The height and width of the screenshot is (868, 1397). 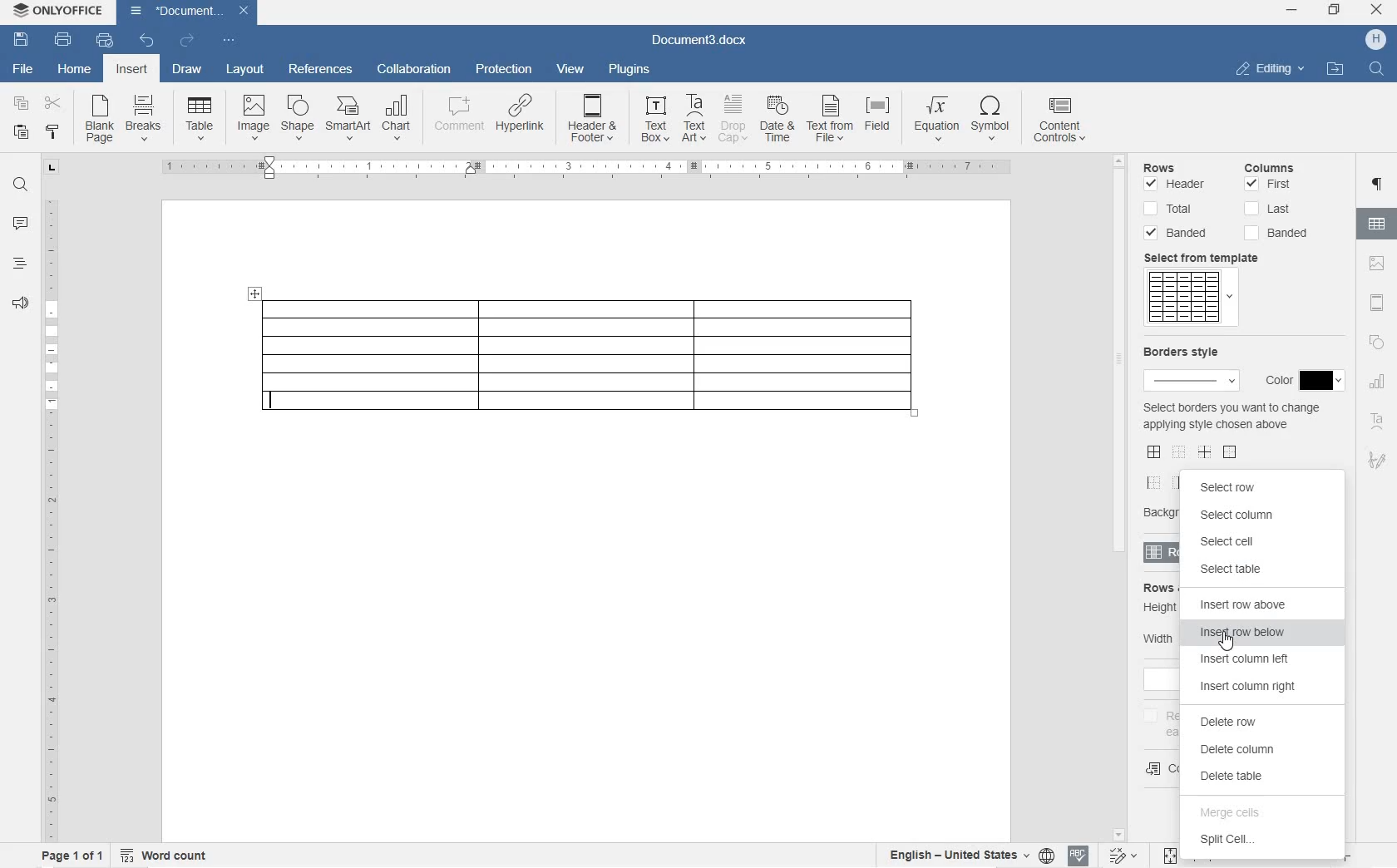 I want to click on Last, so click(x=1268, y=209).